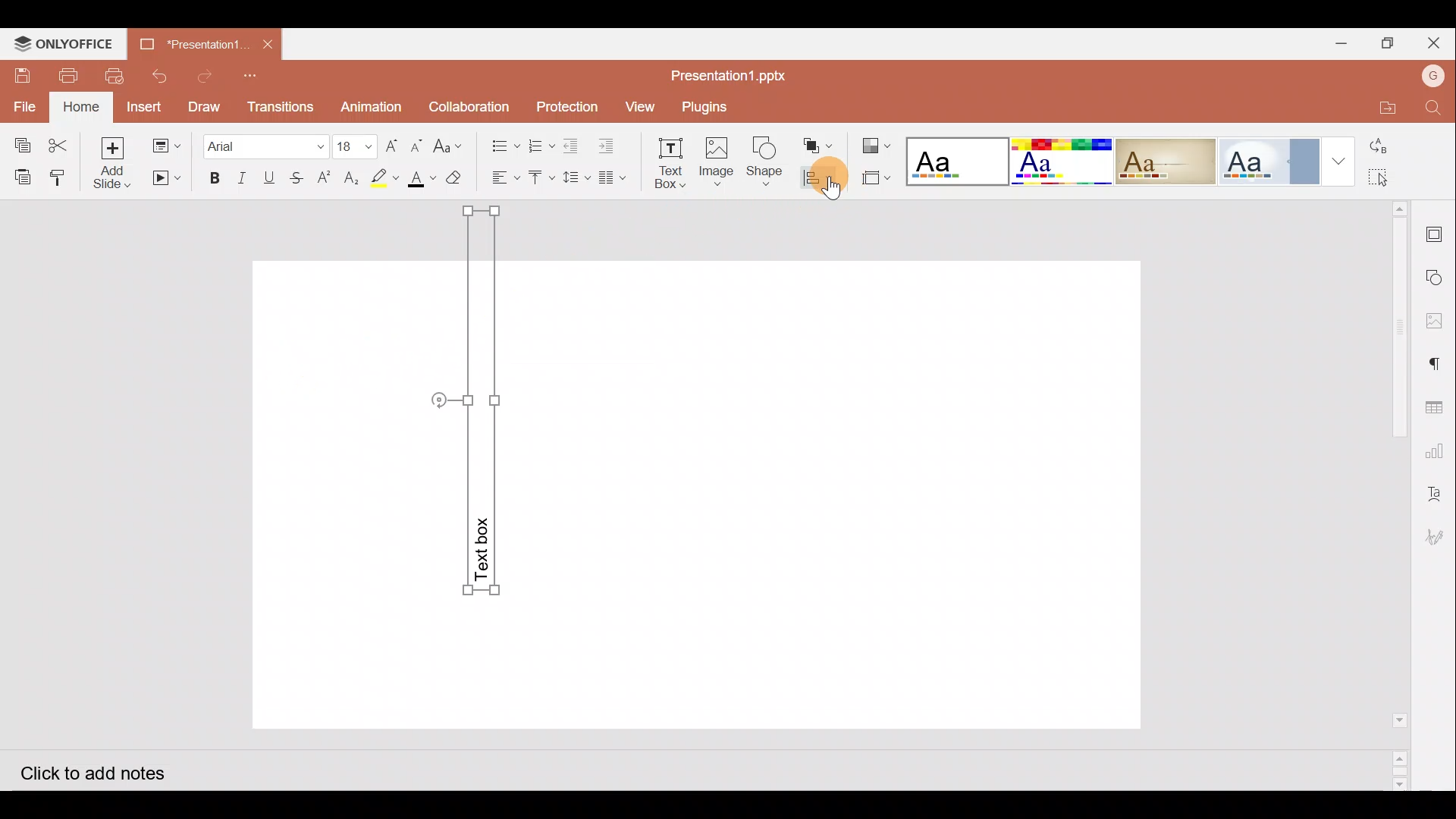  I want to click on Save, so click(19, 76).